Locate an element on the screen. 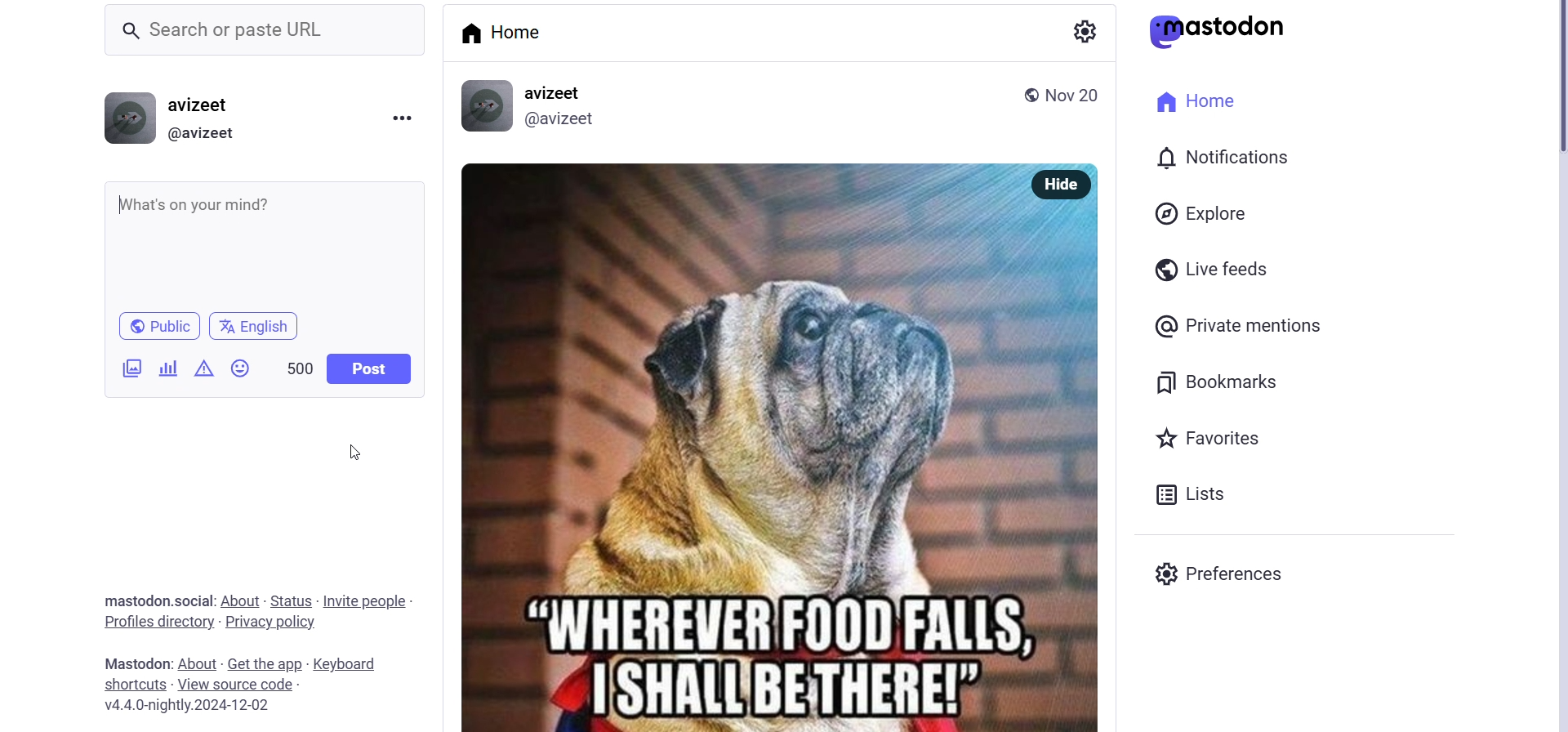  show settings is located at coordinates (1088, 32).